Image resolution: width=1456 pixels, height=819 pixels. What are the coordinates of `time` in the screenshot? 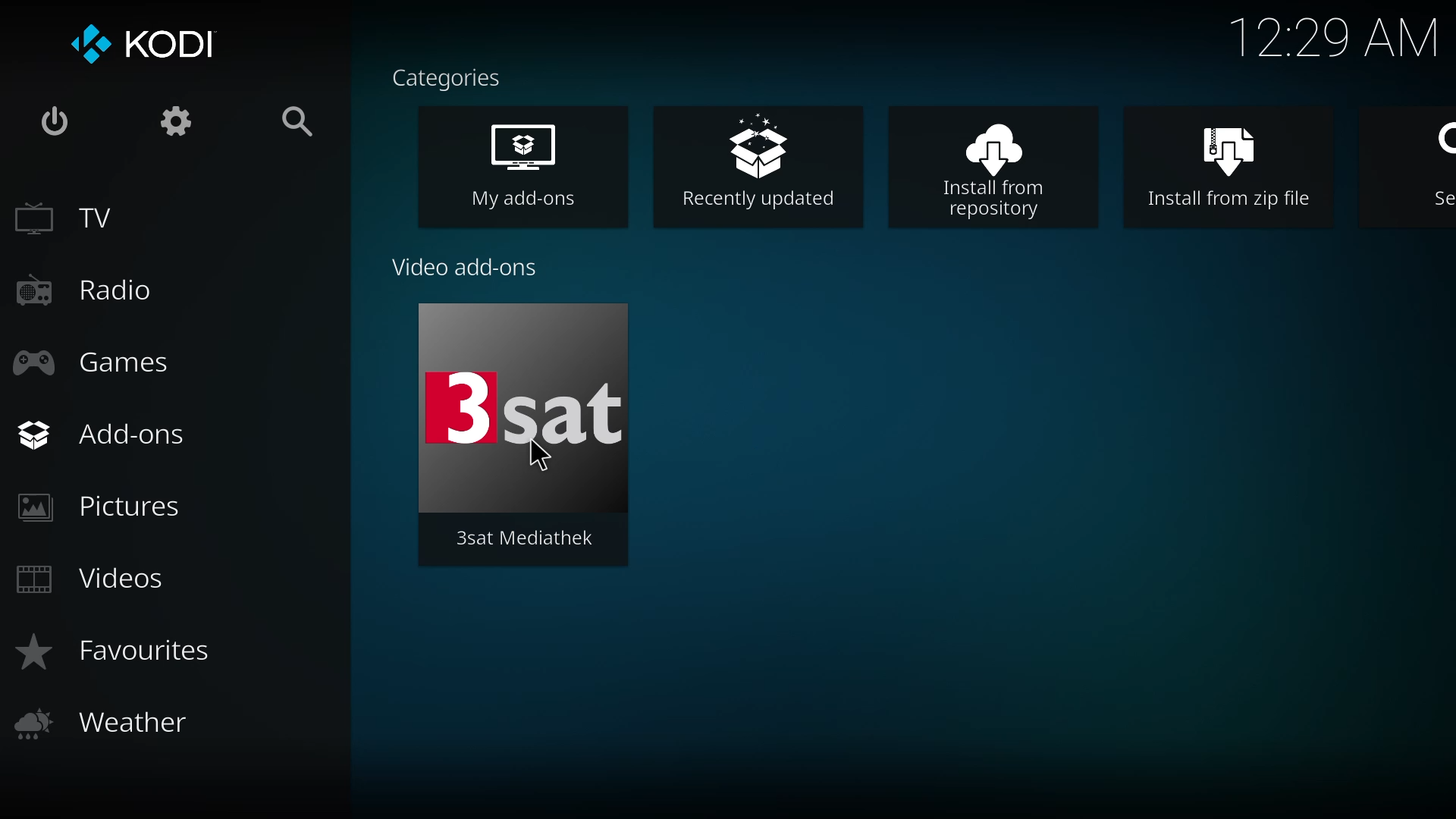 It's located at (1338, 33).